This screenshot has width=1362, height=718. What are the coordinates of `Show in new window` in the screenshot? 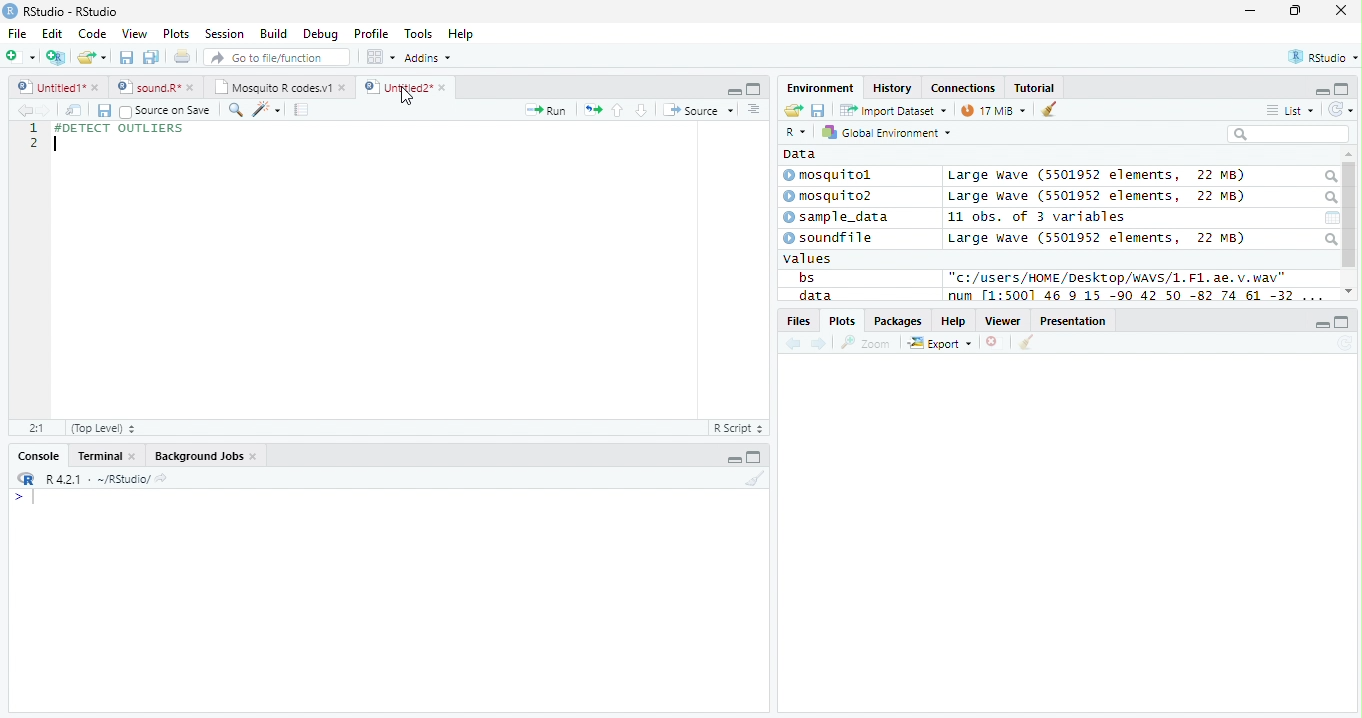 It's located at (74, 111).